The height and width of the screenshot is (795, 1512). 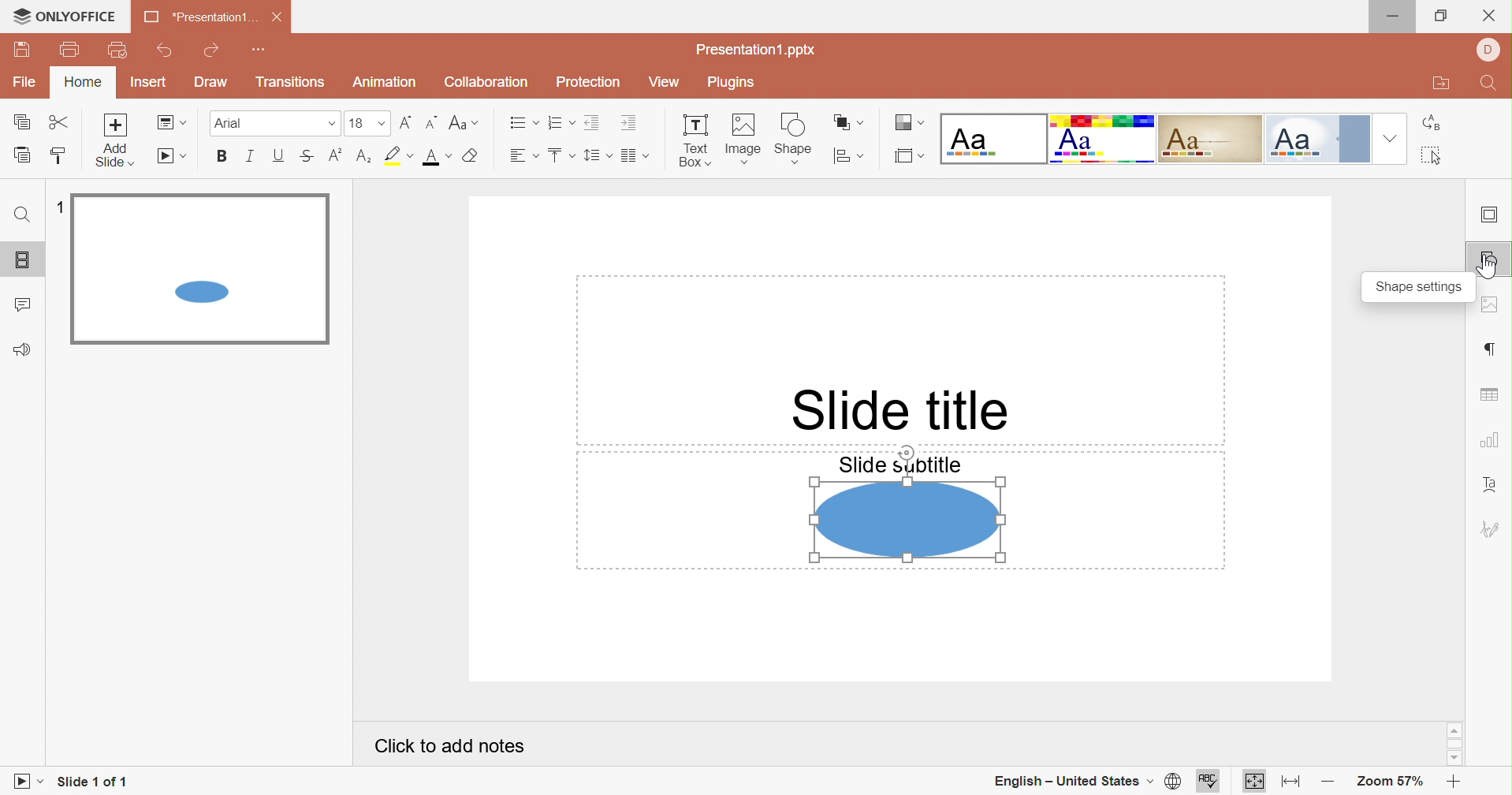 What do you see at coordinates (1432, 155) in the screenshot?
I see `Select all` at bounding box center [1432, 155].